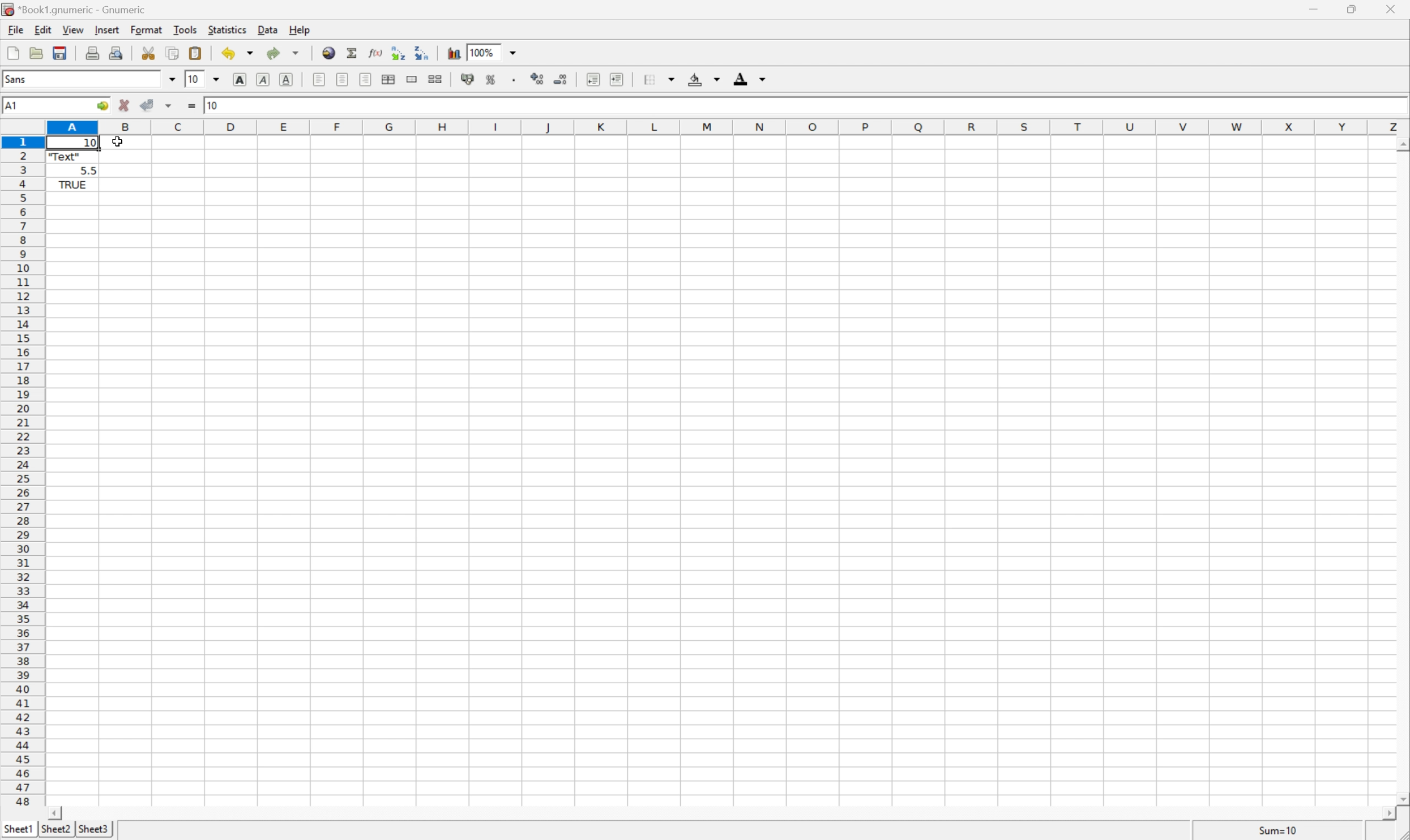 This screenshot has height=840, width=1410. What do you see at coordinates (287, 79) in the screenshot?
I see `Underline` at bounding box center [287, 79].